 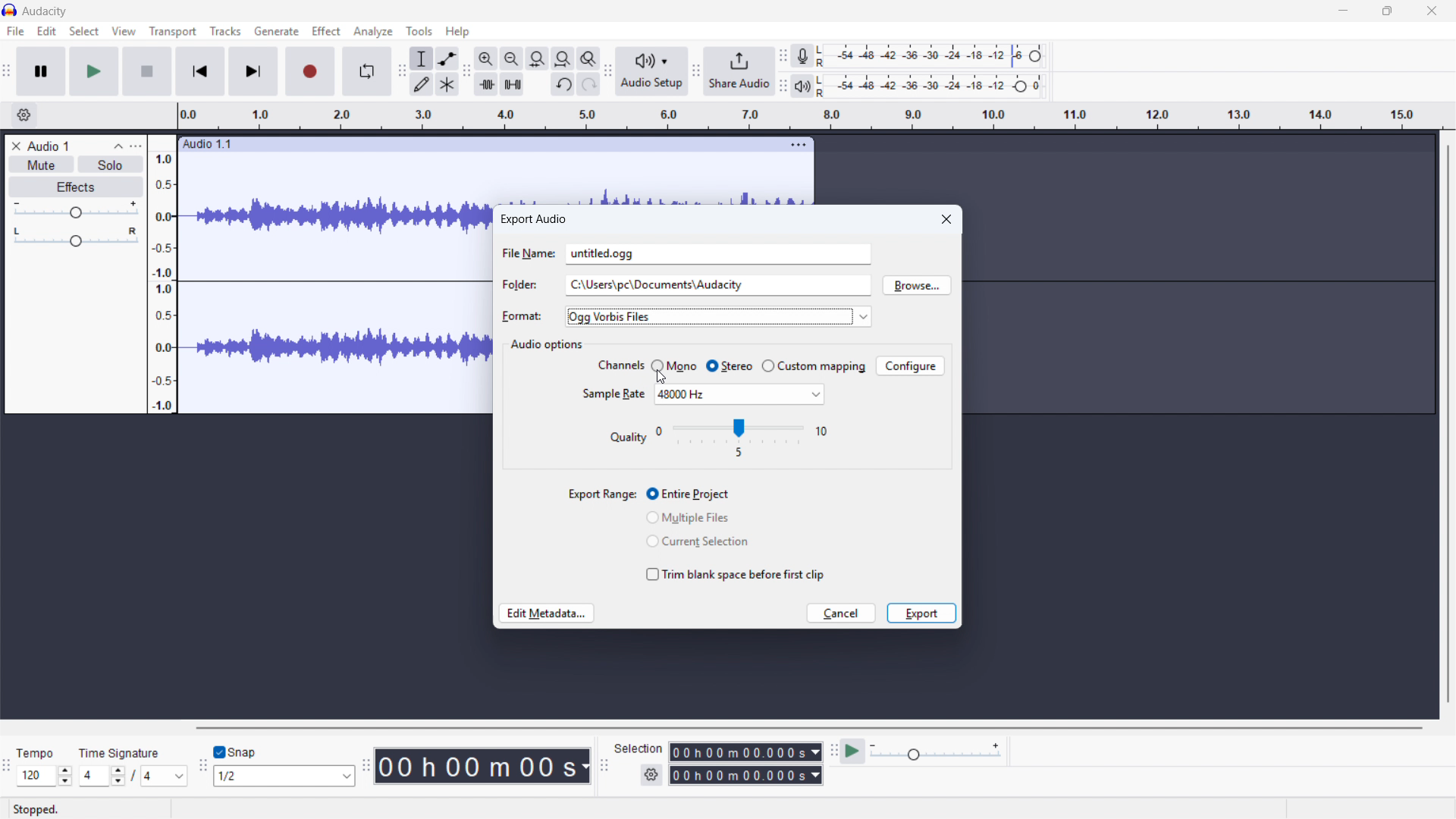 What do you see at coordinates (485, 84) in the screenshot?
I see `Trim audio outside selection ` at bounding box center [485, 84].